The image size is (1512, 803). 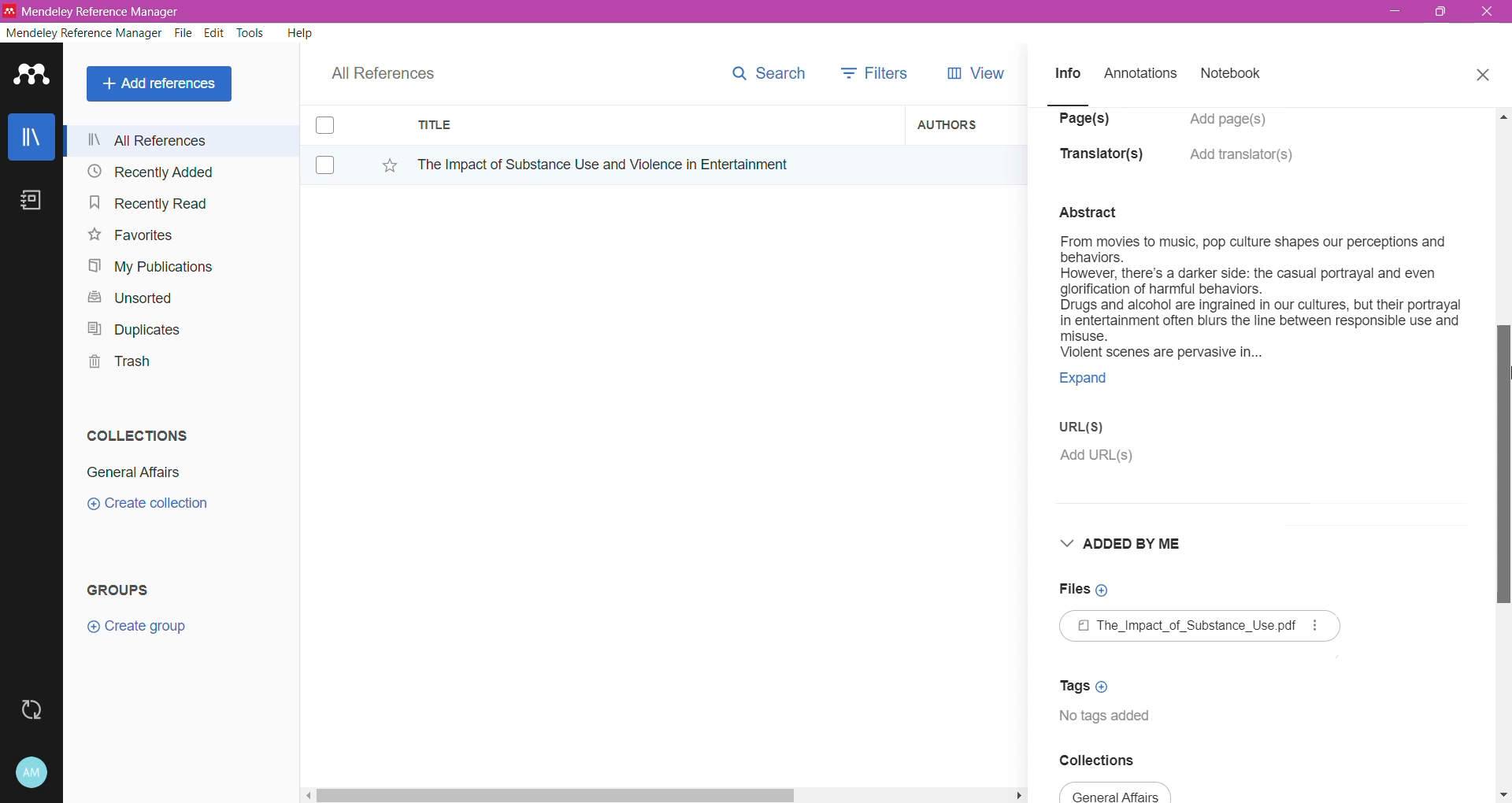 I want to click on Add References, so click(x=162, y=83).